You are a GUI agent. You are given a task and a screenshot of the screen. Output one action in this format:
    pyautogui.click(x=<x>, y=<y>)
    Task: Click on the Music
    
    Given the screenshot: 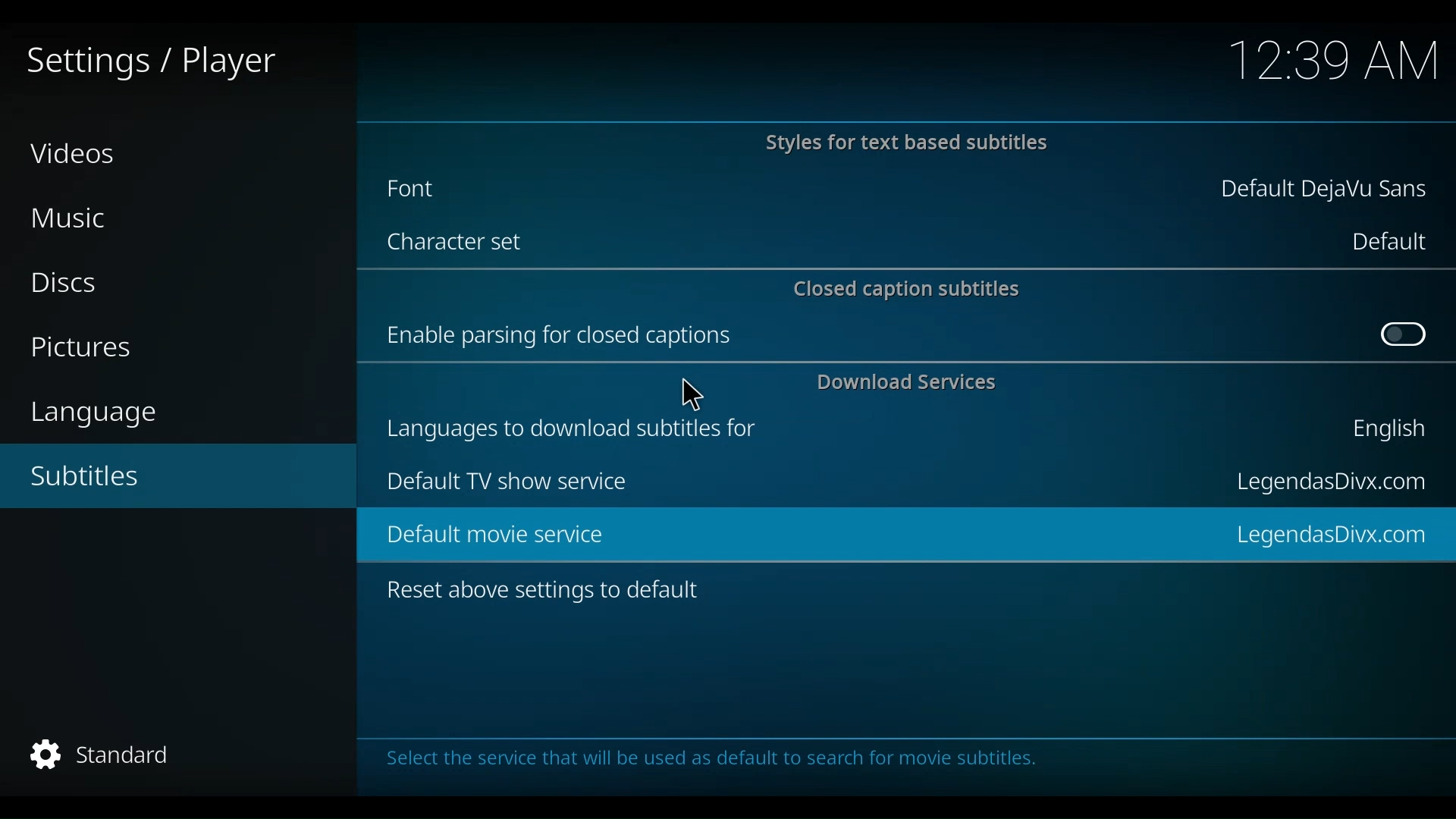 What is the action you would take?
    pyautogui.click(x=76, y=219)
    